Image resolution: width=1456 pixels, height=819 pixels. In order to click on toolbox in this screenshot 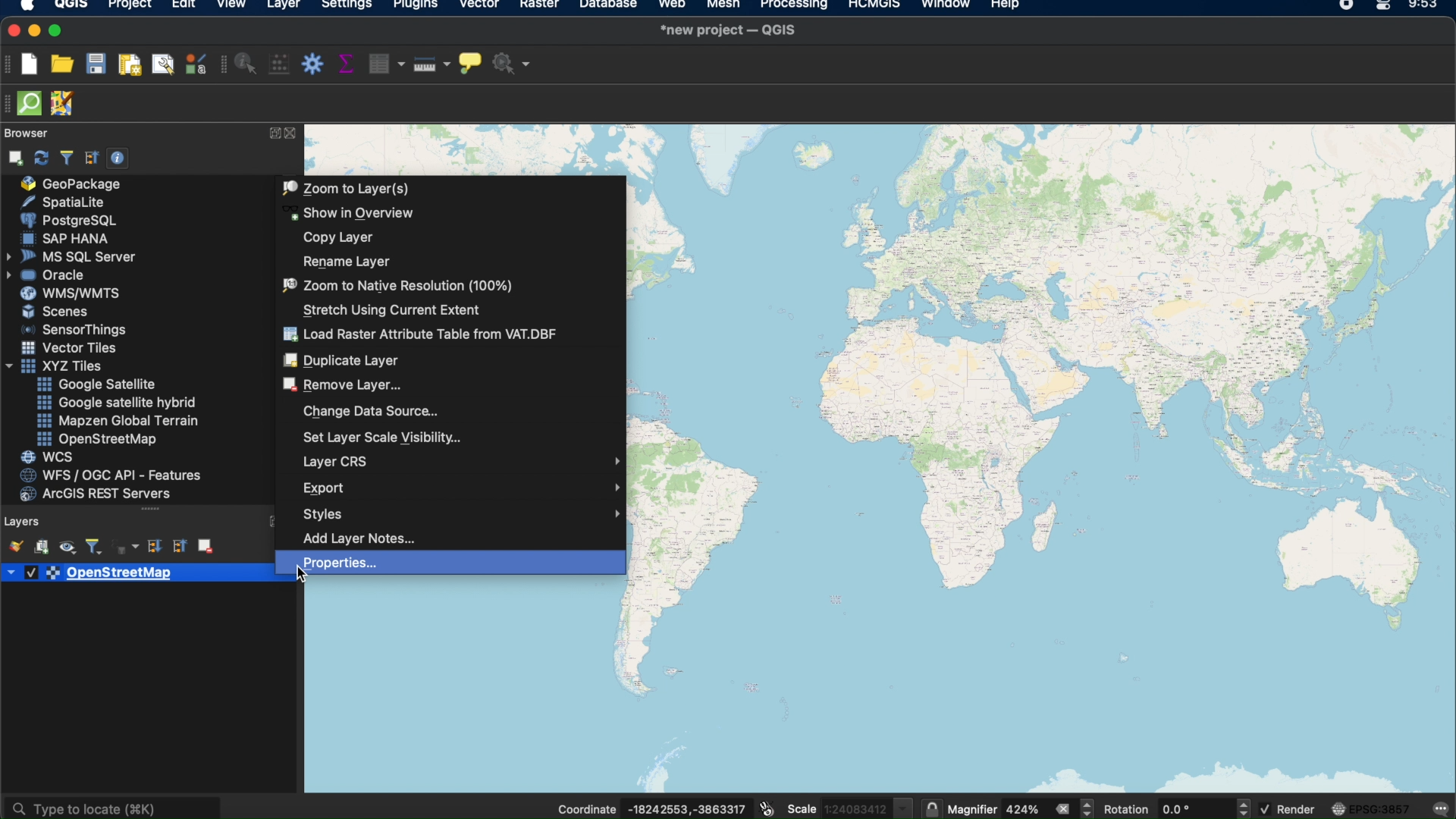, I will do `click(312, 66)`.